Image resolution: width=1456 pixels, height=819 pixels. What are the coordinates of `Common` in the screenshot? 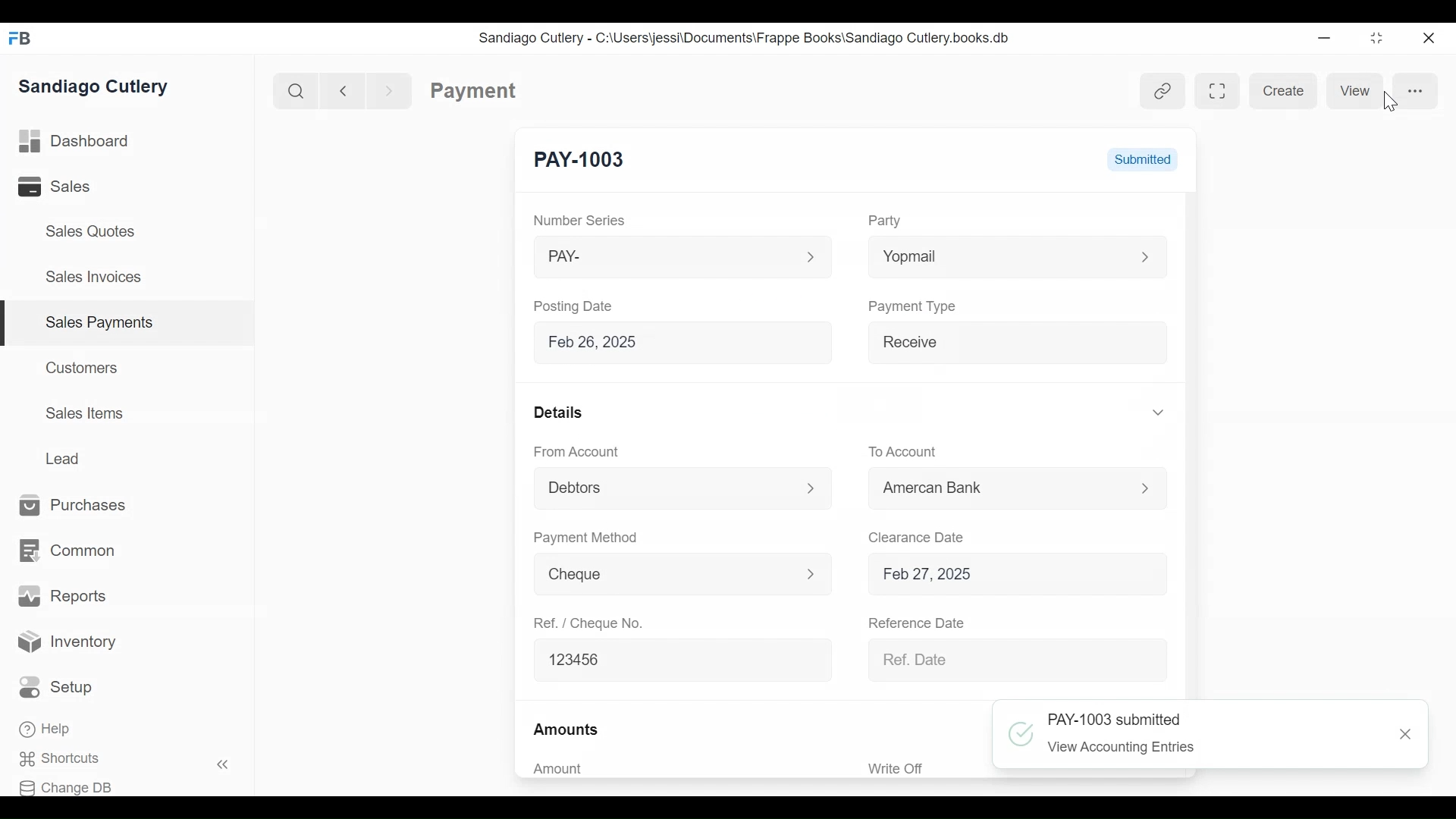 It's located at (66, 551).